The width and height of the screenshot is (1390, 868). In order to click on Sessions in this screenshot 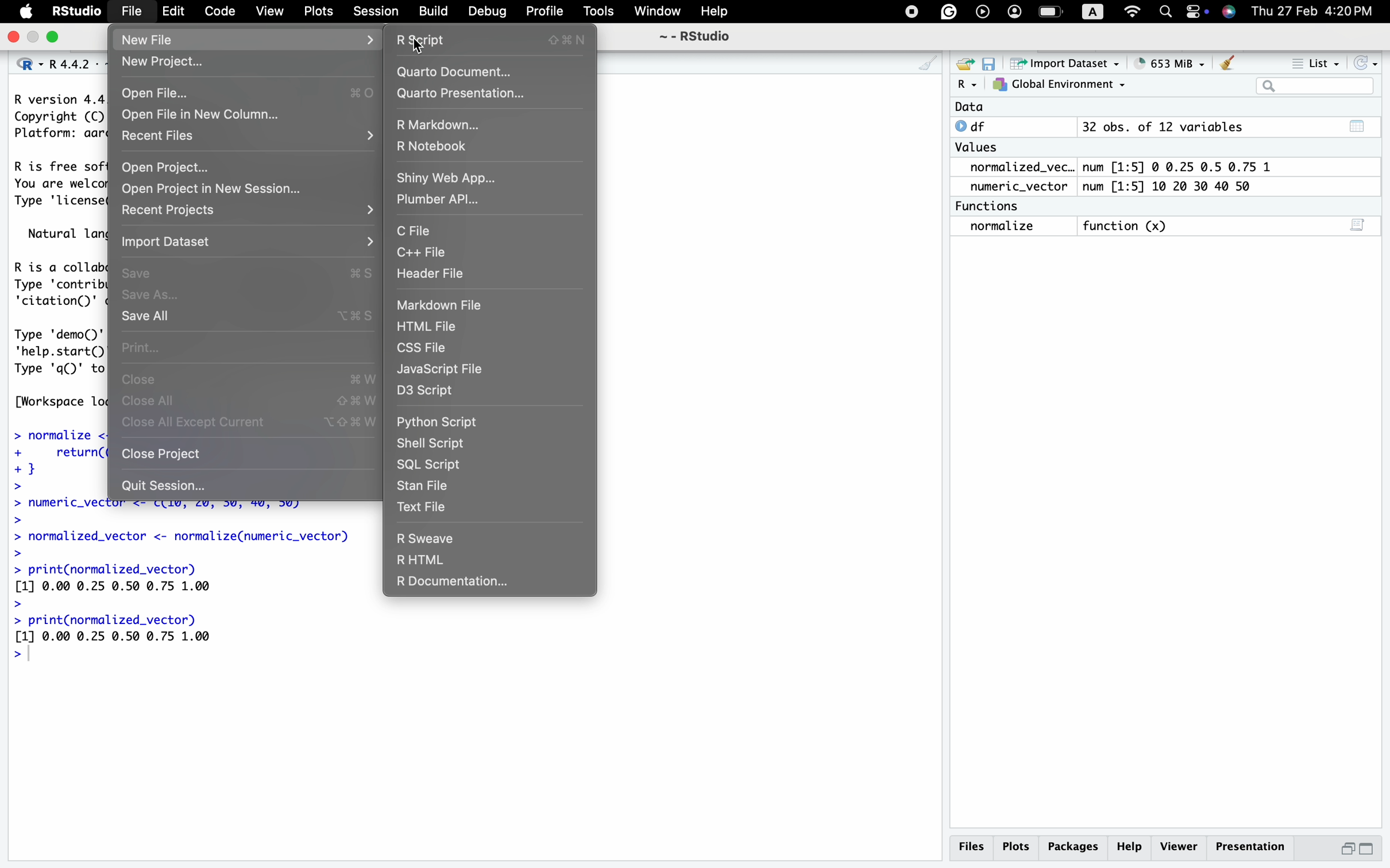, I will do `click(377, 13)`.